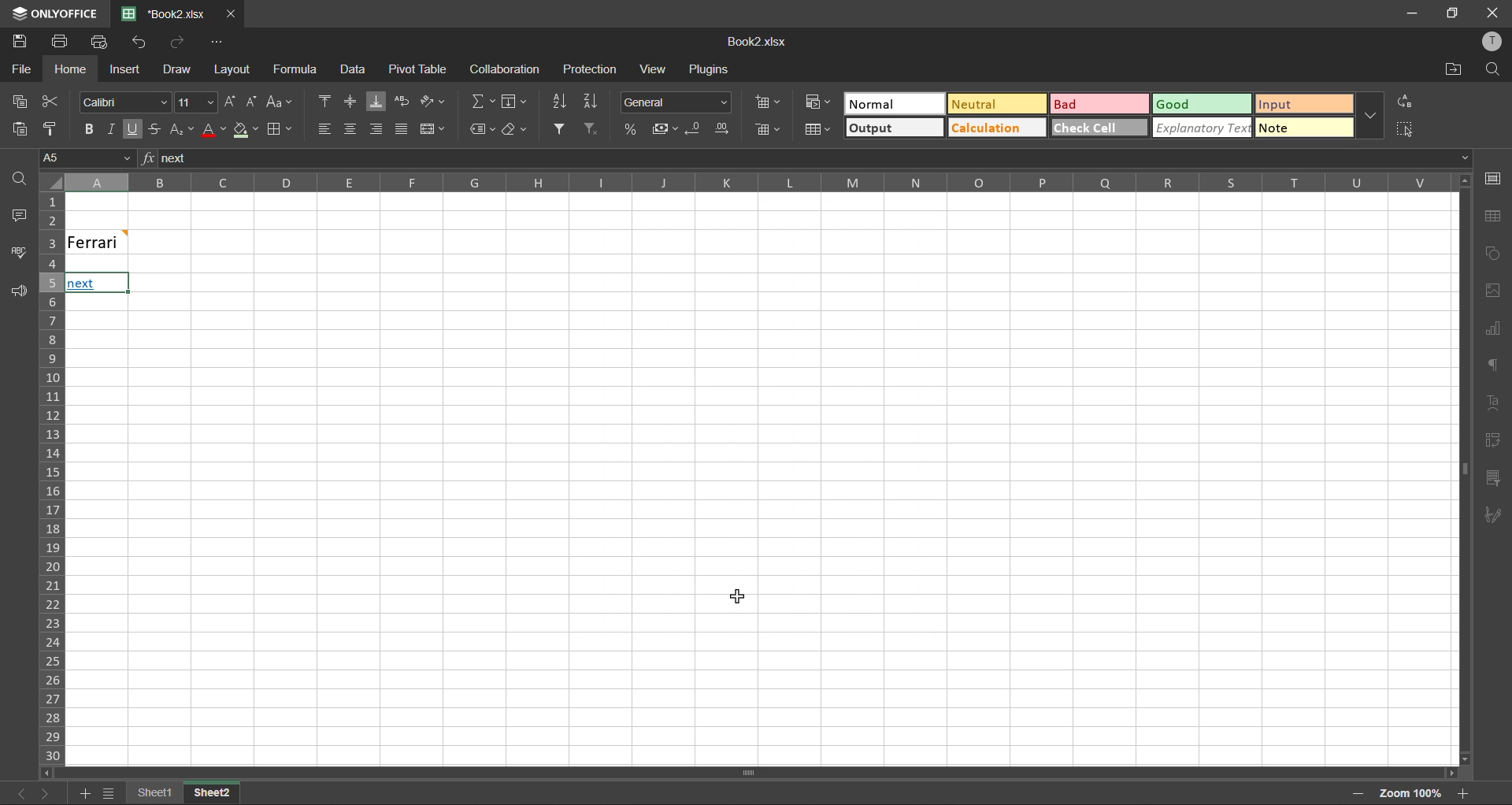 This screenshot has width=1512, height=805. I want to click on summation, so click(482, 101).